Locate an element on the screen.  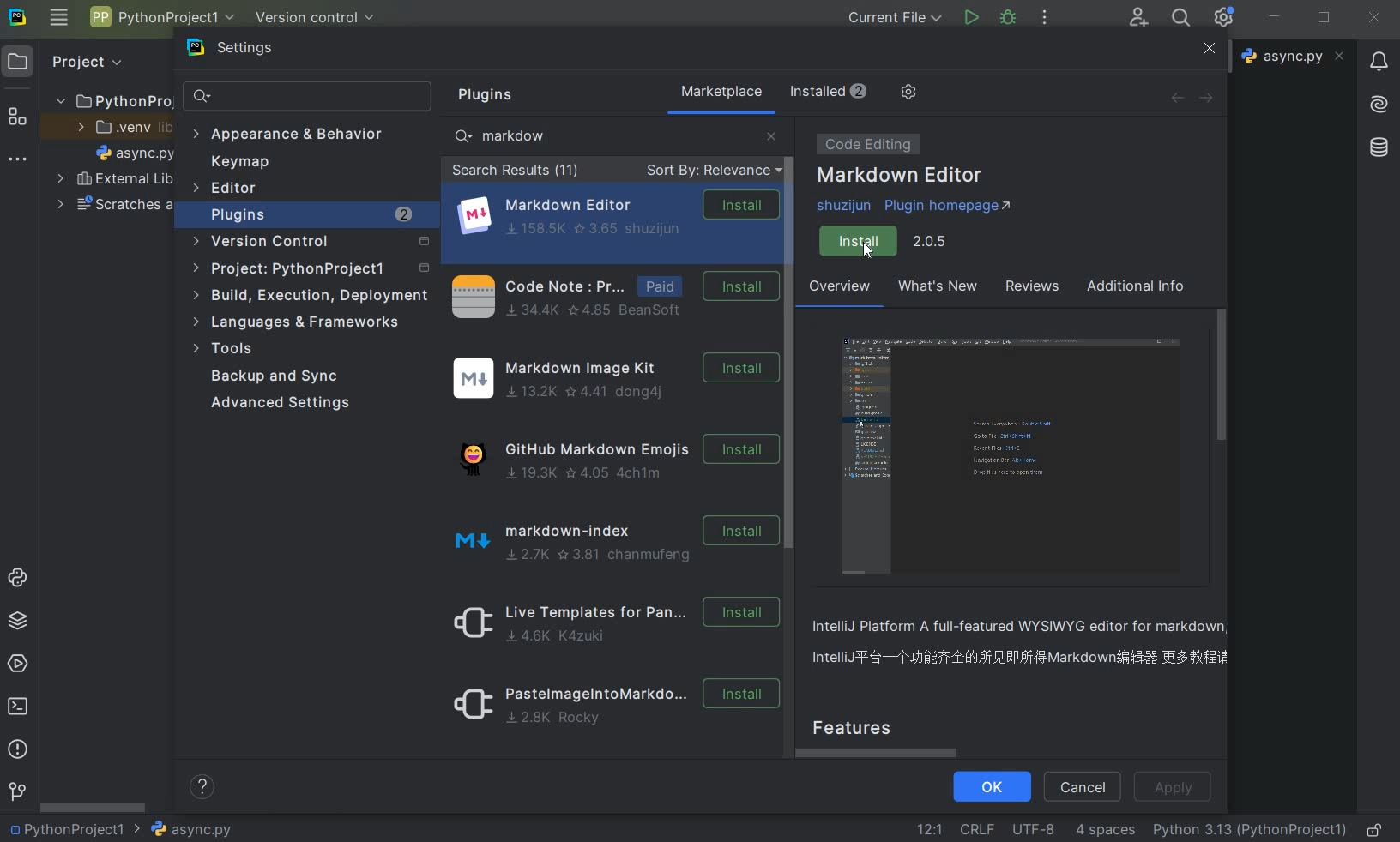
close is located at coordinates (1375, 19).